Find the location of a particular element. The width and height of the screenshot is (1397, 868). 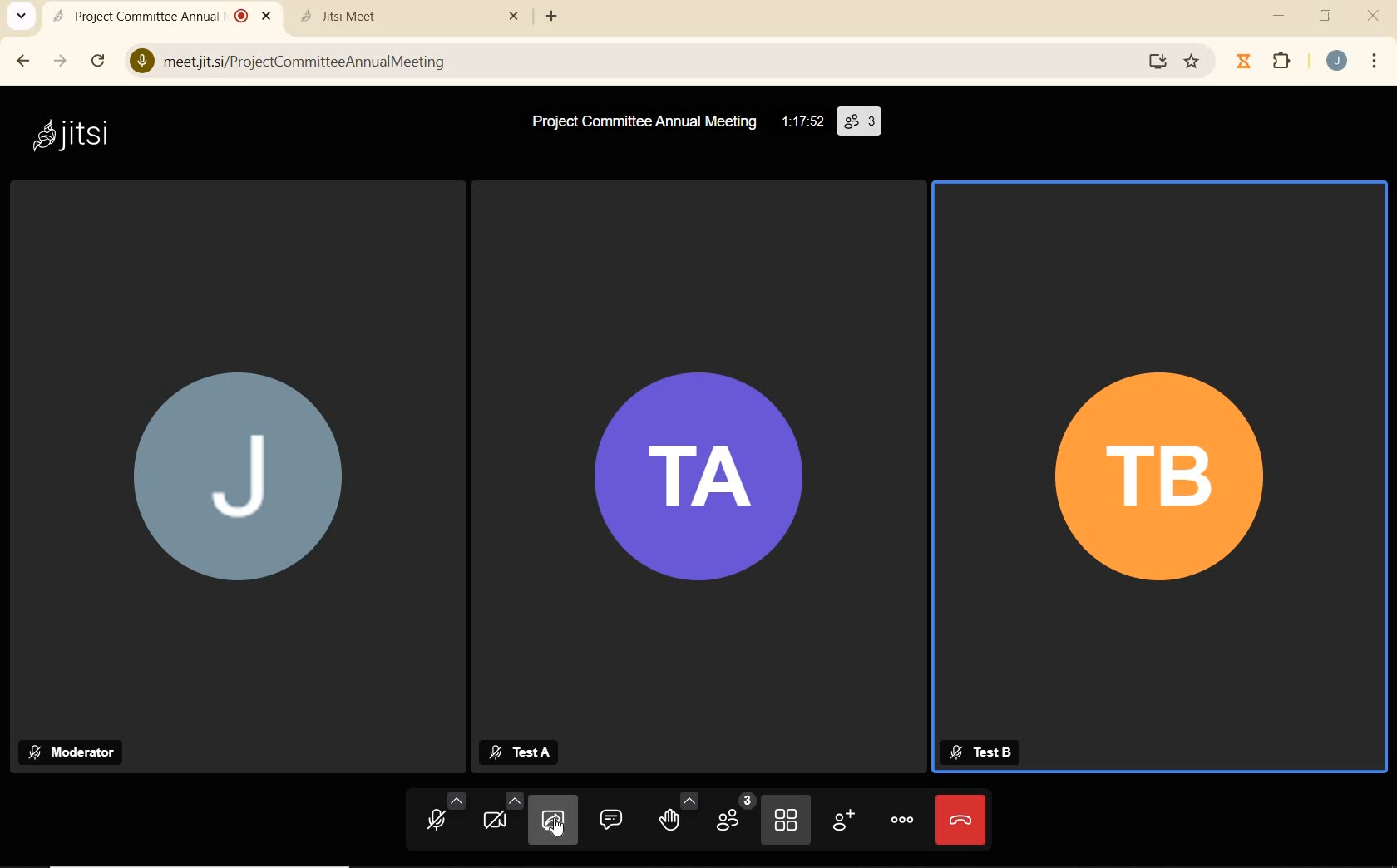

PARTICIPANTS (3) is located at coordinates (863, 121).